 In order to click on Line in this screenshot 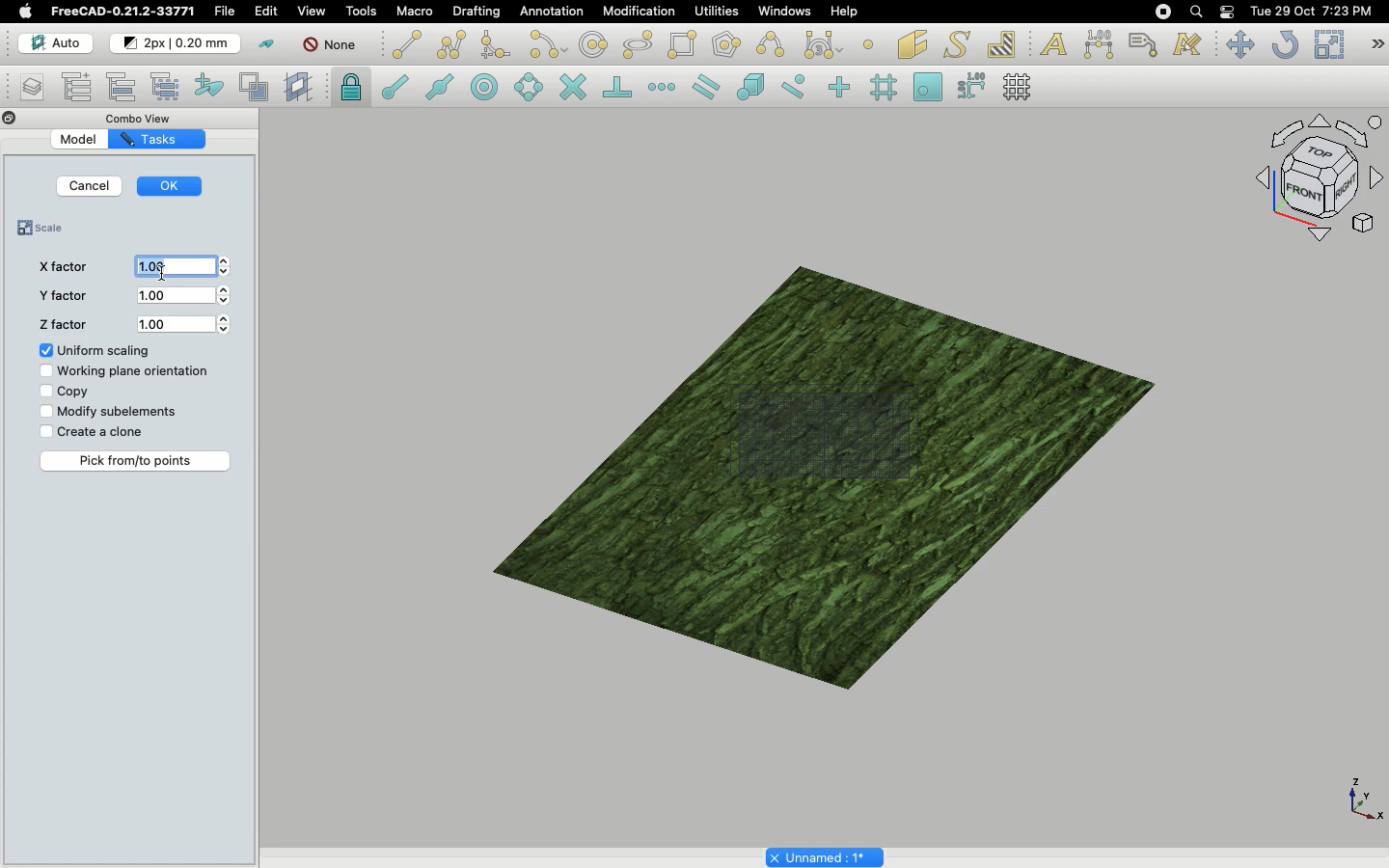, I will do `click(404, 44)`.